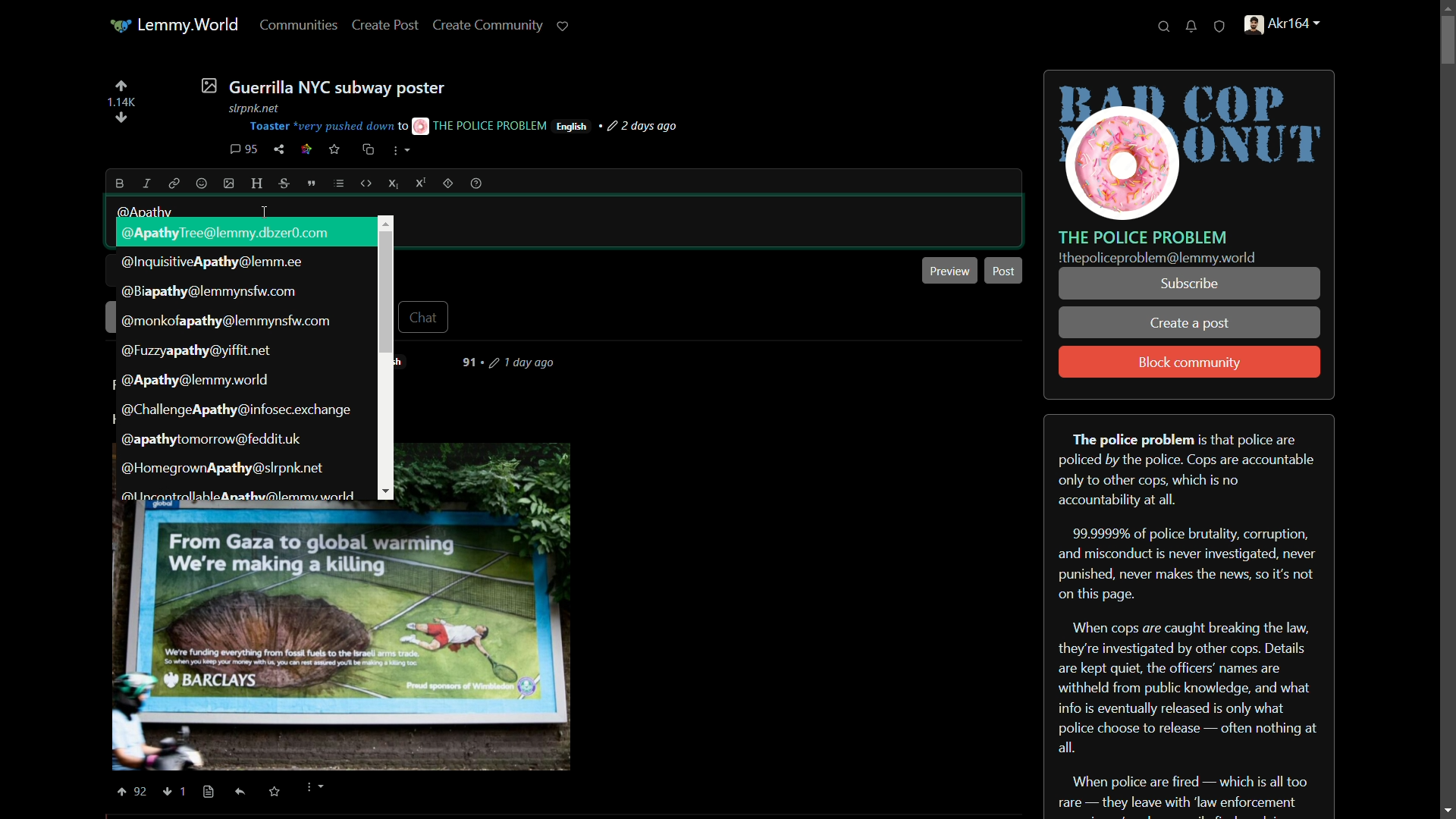  Describe the element at coordinates (198, 351) in the screenshot. I see `suggestion-5` at that location.